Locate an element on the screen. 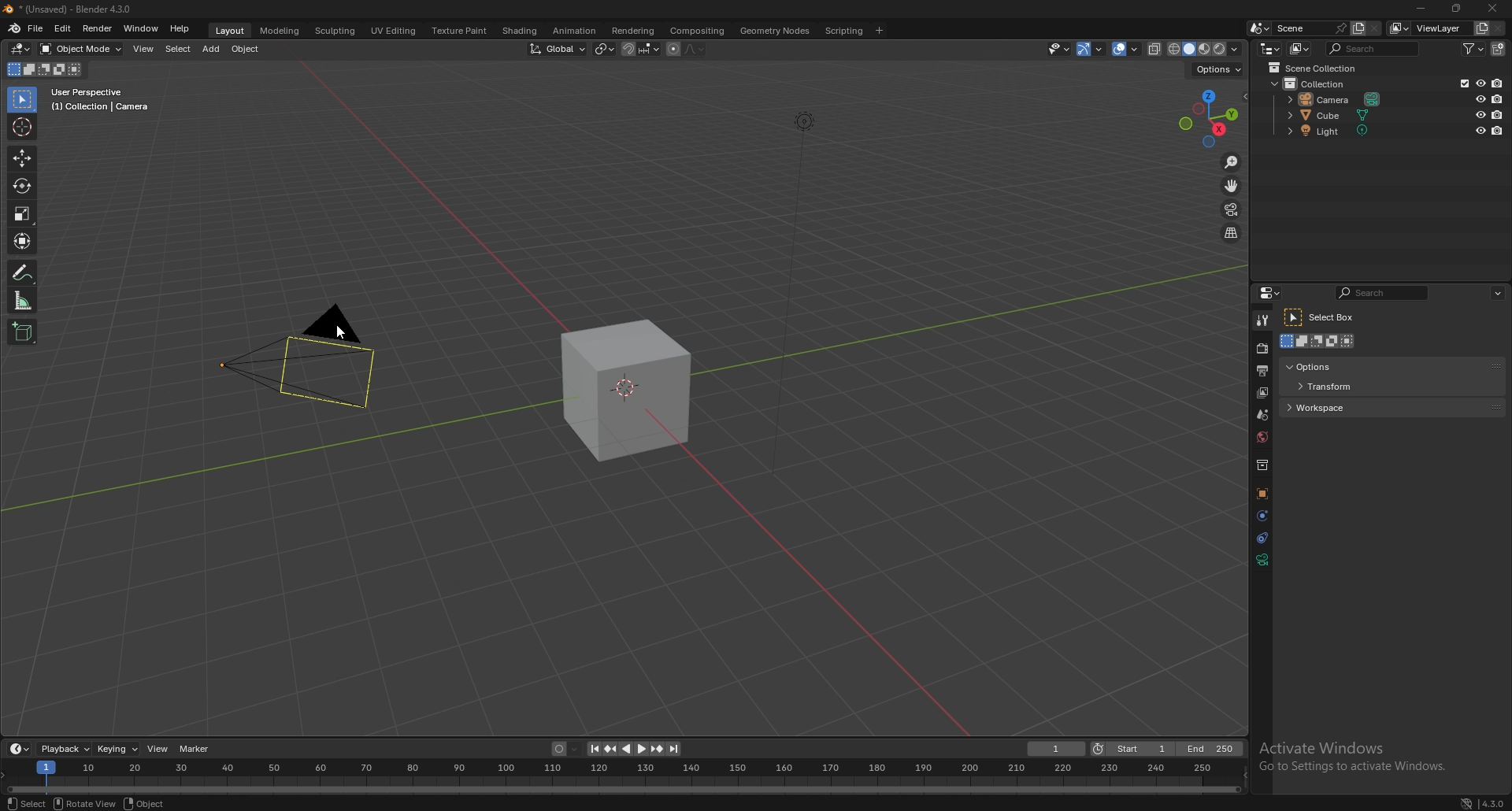 This screenshot has width=1512, height=811. playback is located at coordinates (64, 749).